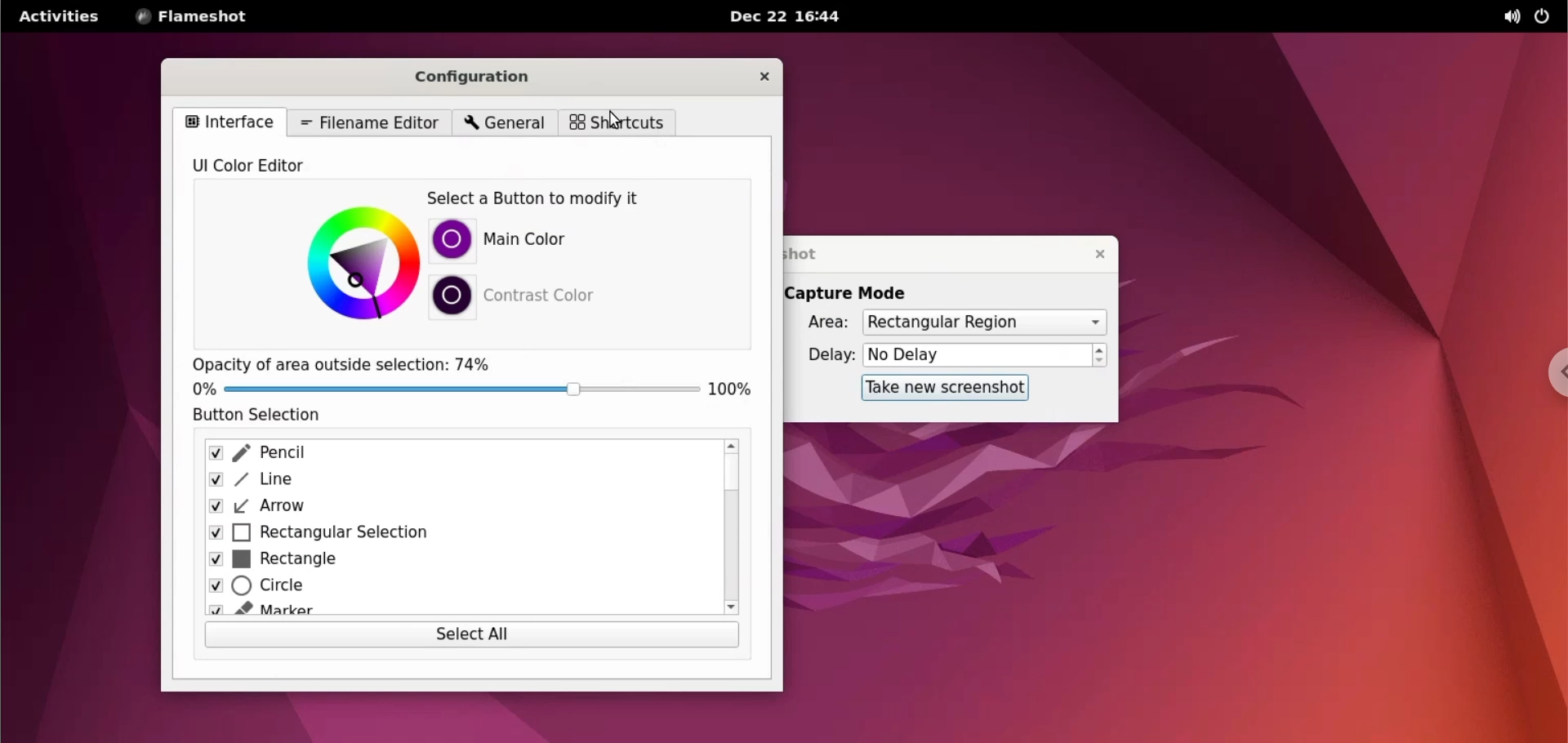  I want to click on activities , so click(60, 16).